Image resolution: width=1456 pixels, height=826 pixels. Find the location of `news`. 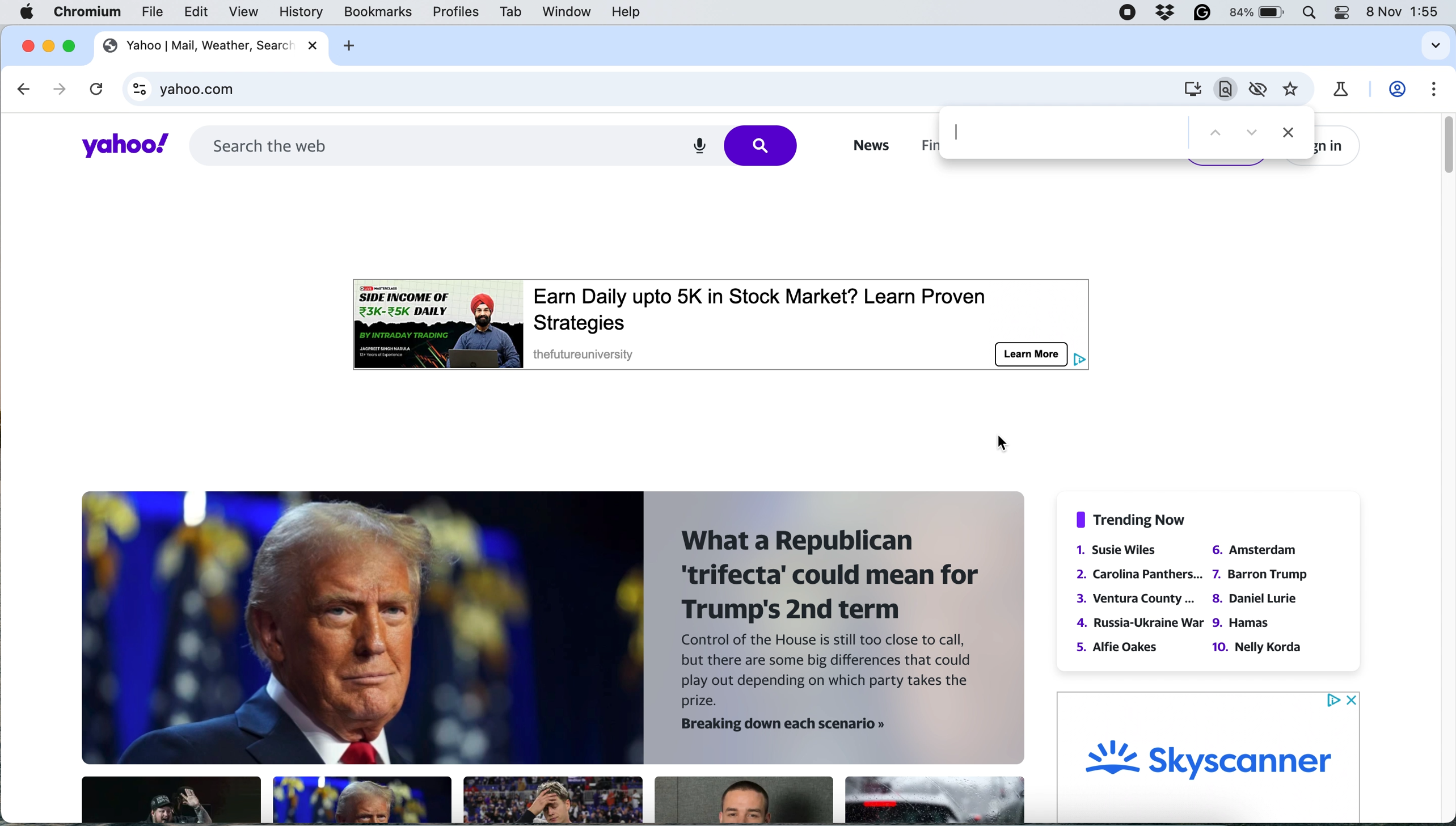

news is located at coordinates (868, 146).